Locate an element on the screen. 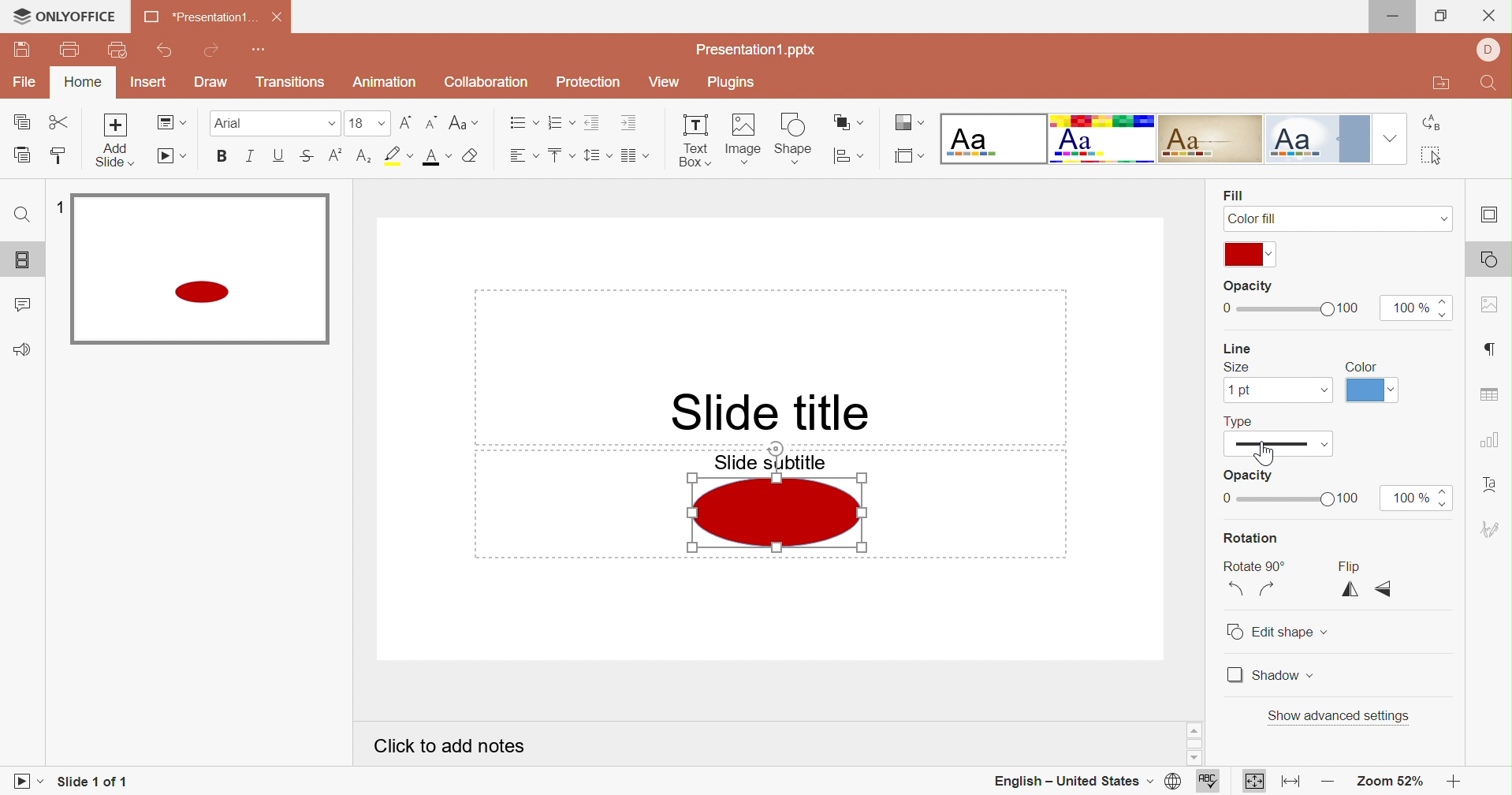  Increment font size is located at coordinates (404, 121).